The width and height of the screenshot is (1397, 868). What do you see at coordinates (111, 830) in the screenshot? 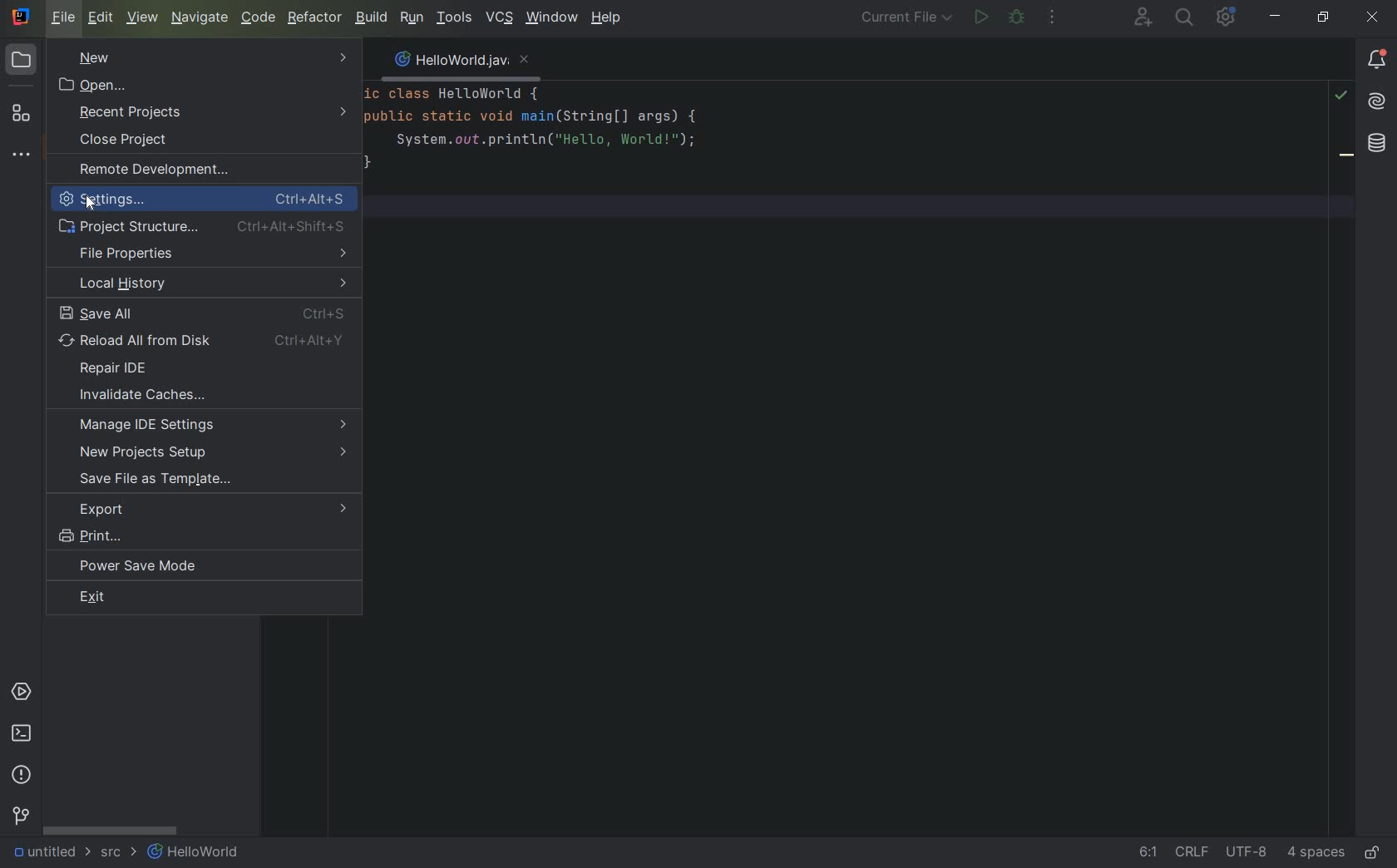
I see `SCROLLBAR` at bounding box center [111, 830].